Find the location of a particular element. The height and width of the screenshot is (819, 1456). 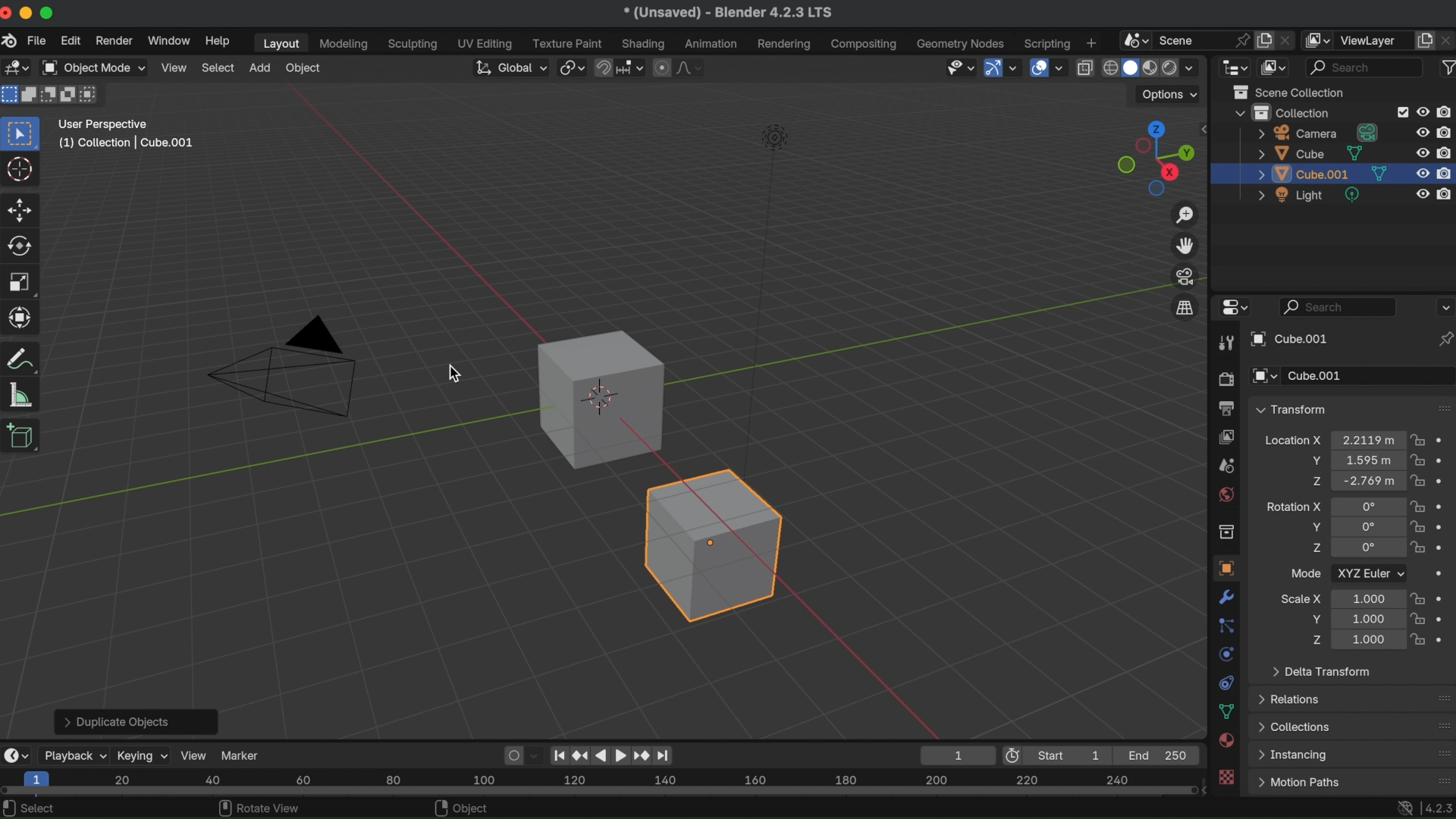

particles is located at coordinates (1227, 626).